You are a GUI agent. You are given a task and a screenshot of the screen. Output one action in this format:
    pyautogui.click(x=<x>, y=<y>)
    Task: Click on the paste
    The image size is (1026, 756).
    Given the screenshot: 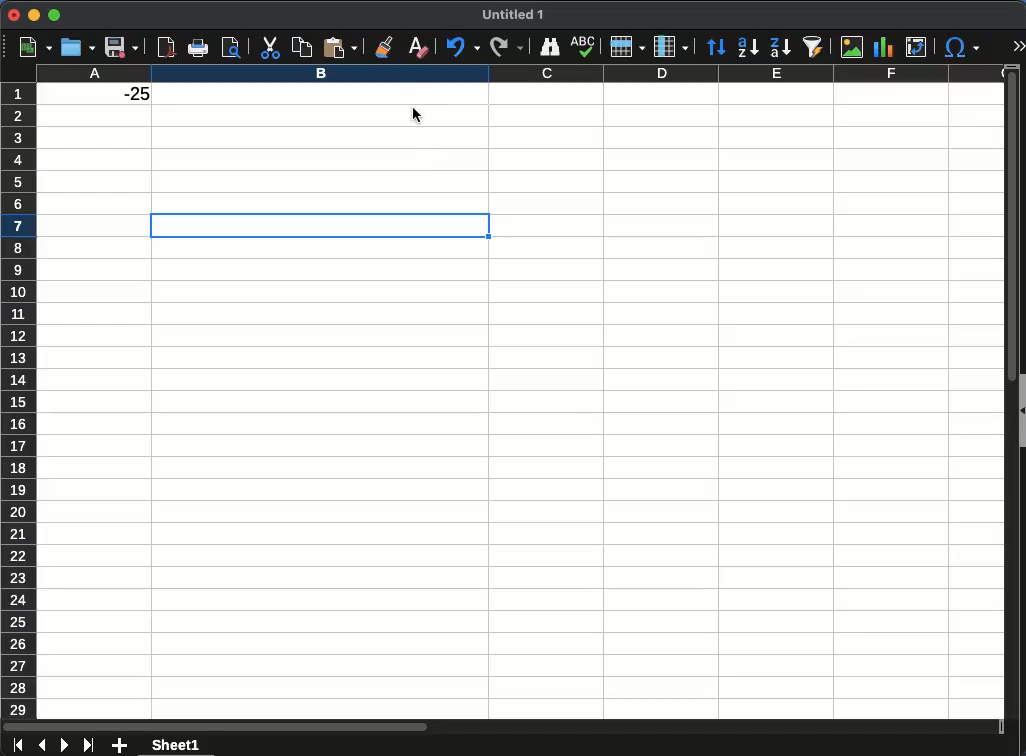 What is the action you would take?
    pyautogui.click(x=339, y=46)
    